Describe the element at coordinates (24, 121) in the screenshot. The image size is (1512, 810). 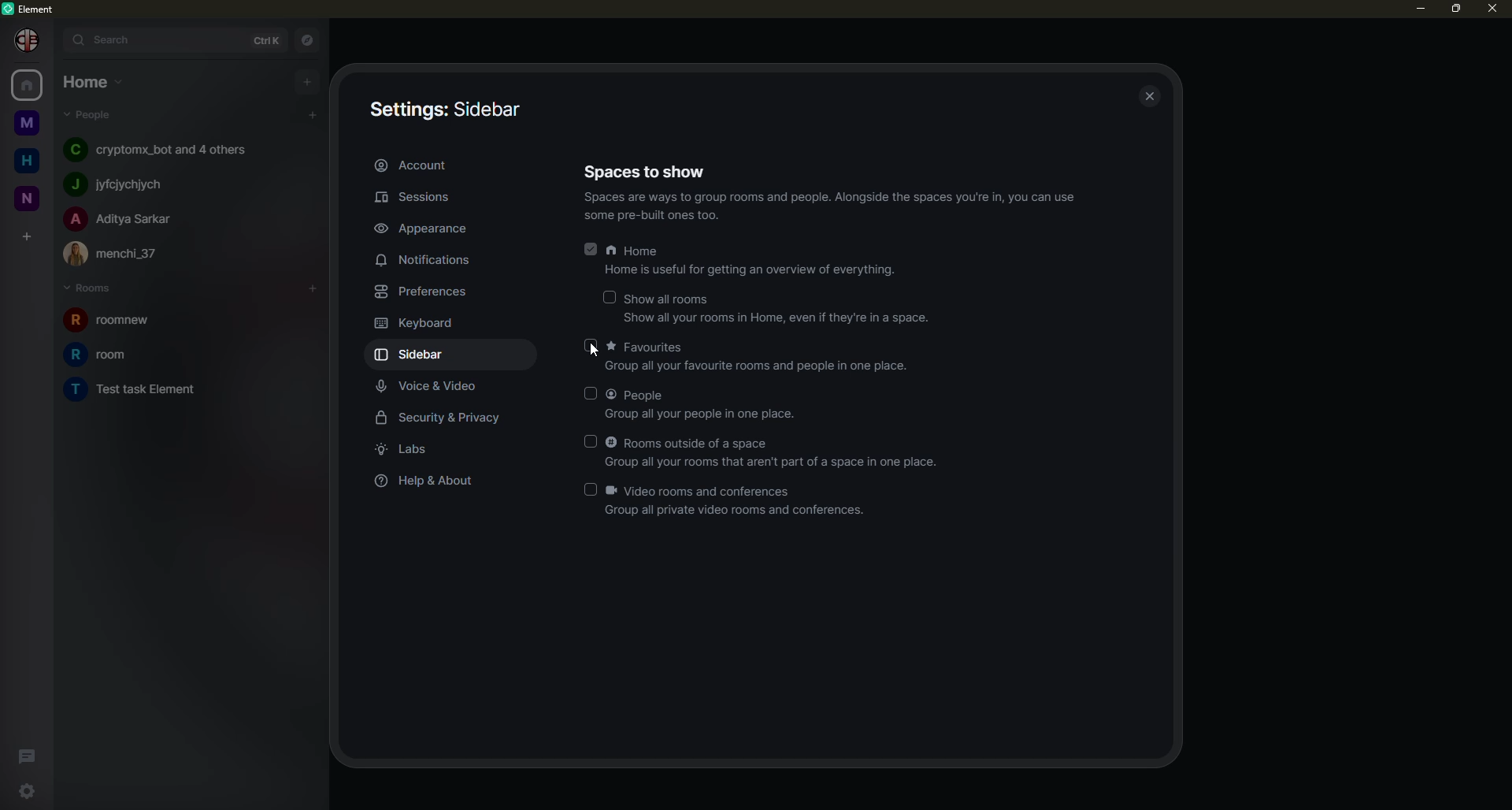
I see `myspace` at that location.